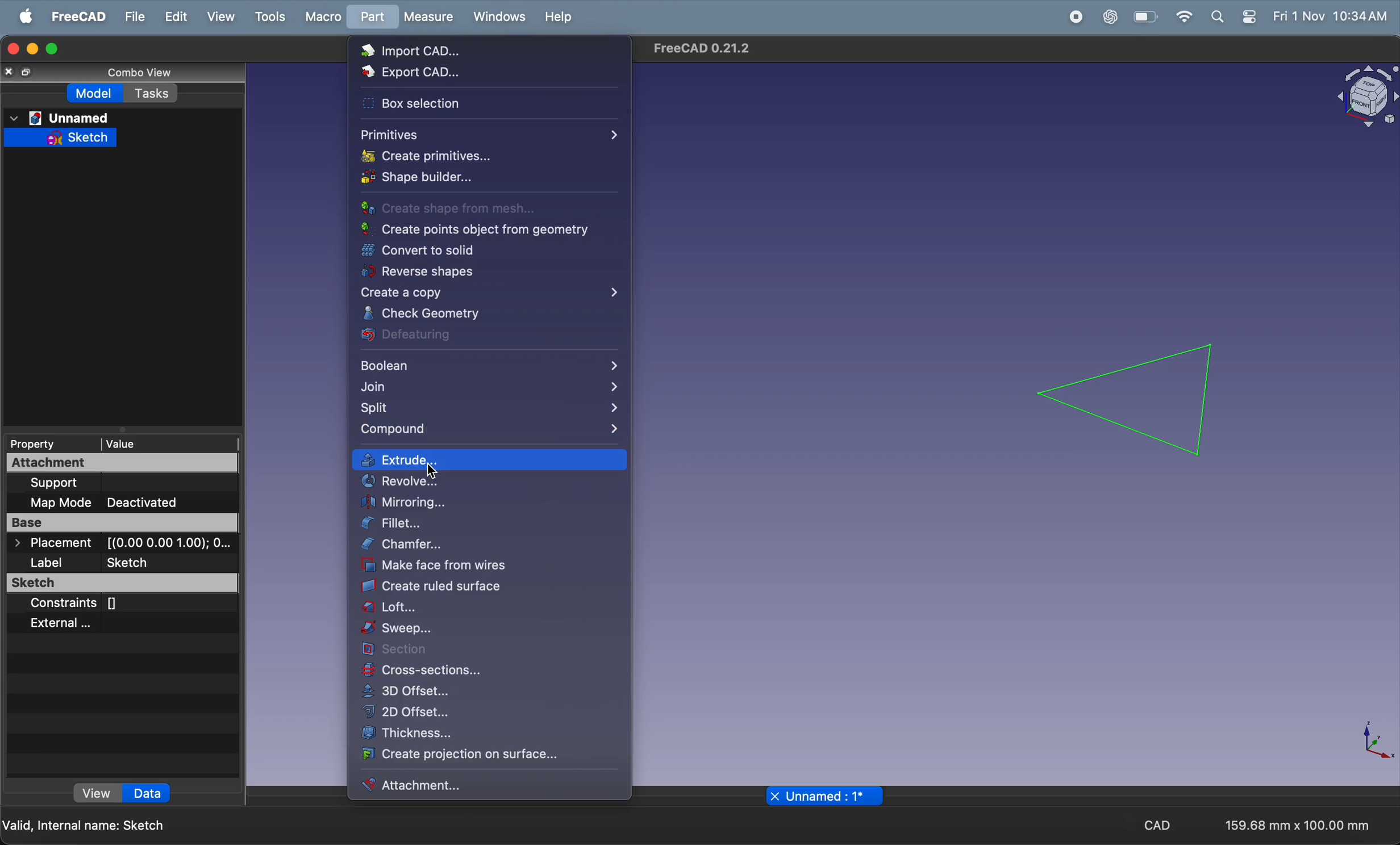  Describe the element at coordinates (463, 252) in the screenshot. I see `convert into solid` at that location.